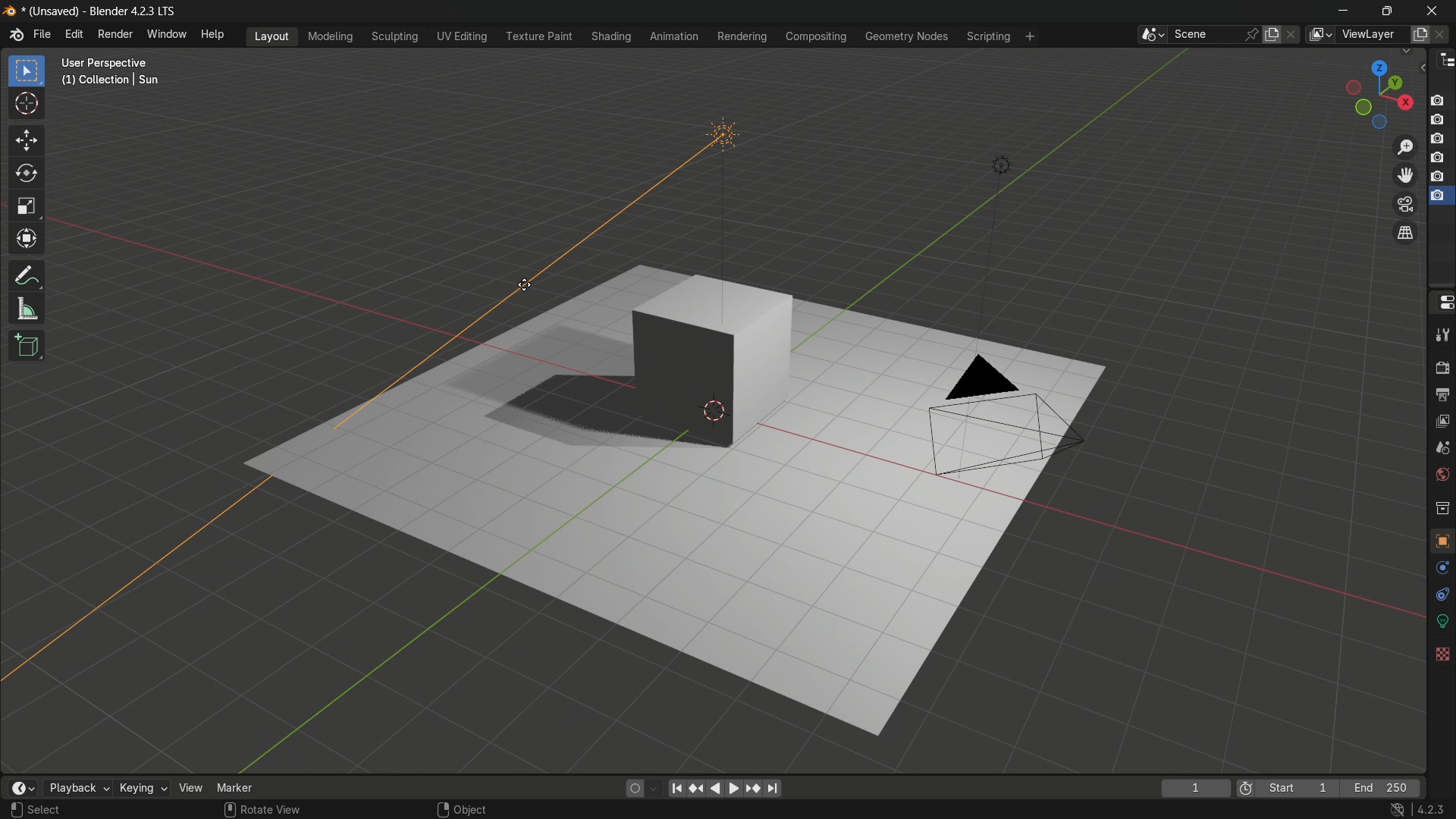  Describe the element at coordinates (698, 790) in the screenshot. I see `jump to keyframe` at that location.